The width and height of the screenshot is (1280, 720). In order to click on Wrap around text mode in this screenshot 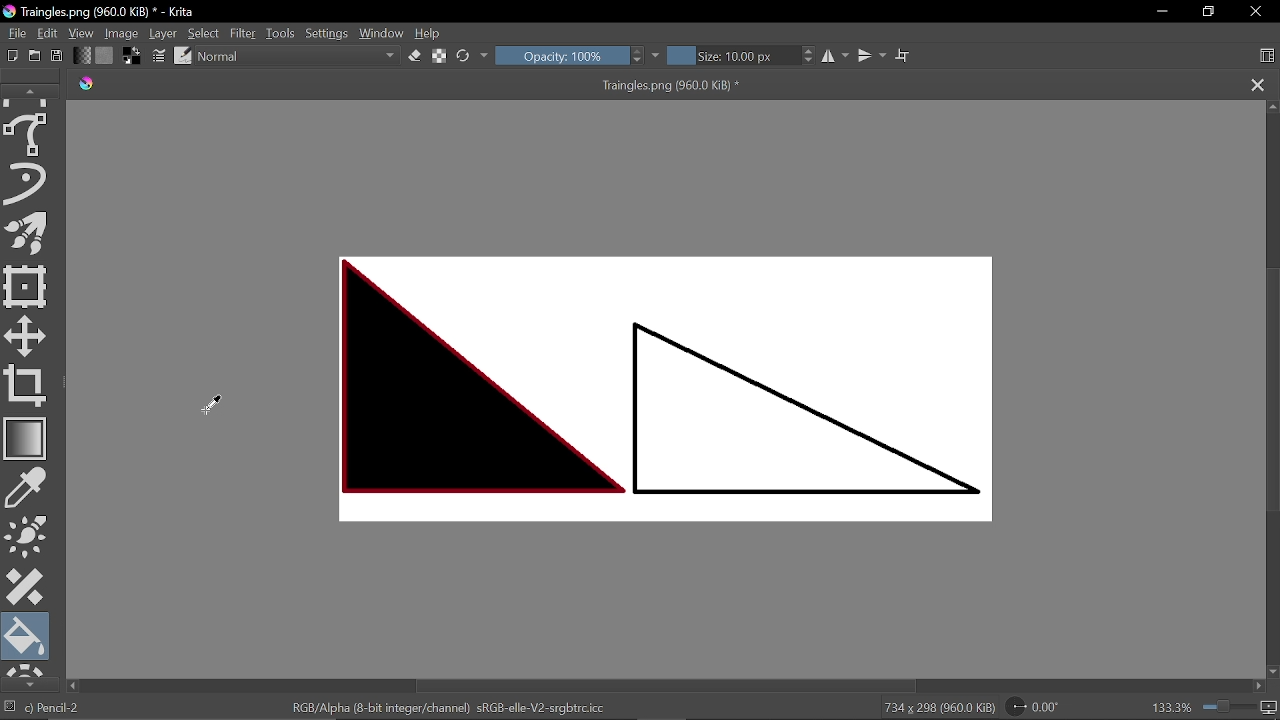, I will do `click(905, 57)`.